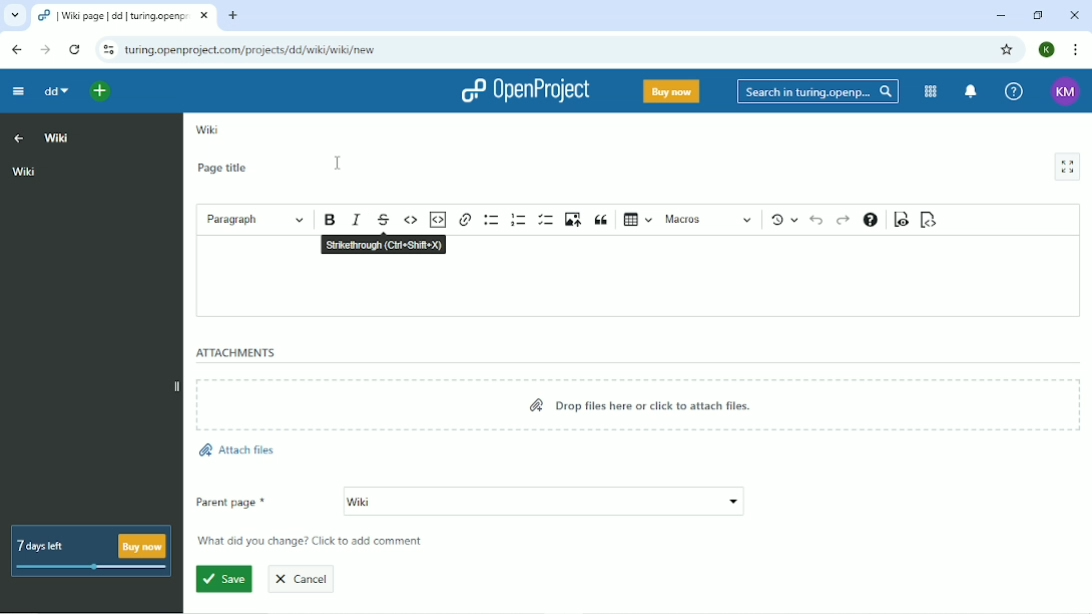 Image resolution: width=1092 pixels, height=614 pixels. I want to click on Reload this page, so click(76, 50).